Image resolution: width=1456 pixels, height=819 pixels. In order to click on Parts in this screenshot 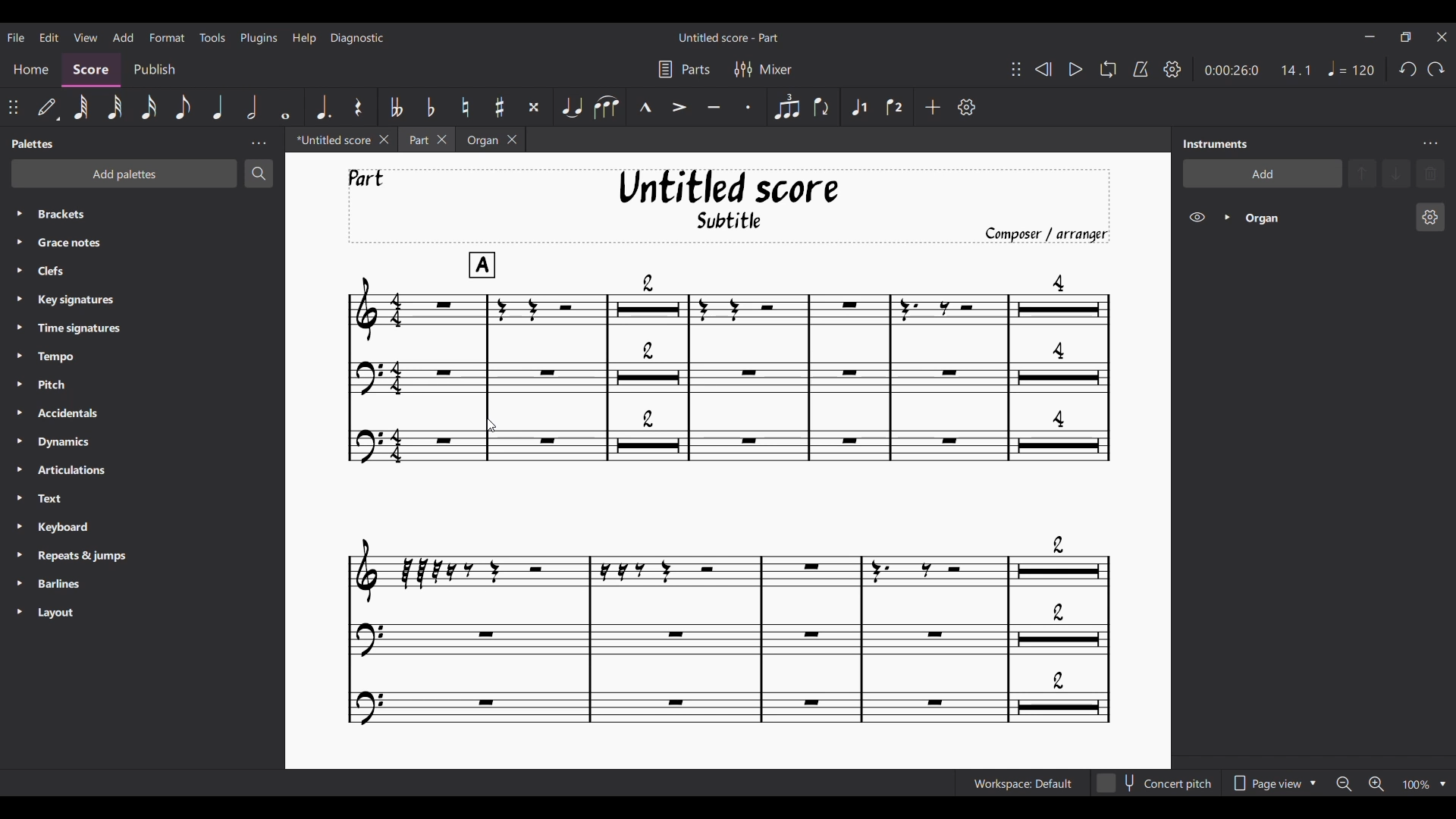, I will do `click(685, 70)`.